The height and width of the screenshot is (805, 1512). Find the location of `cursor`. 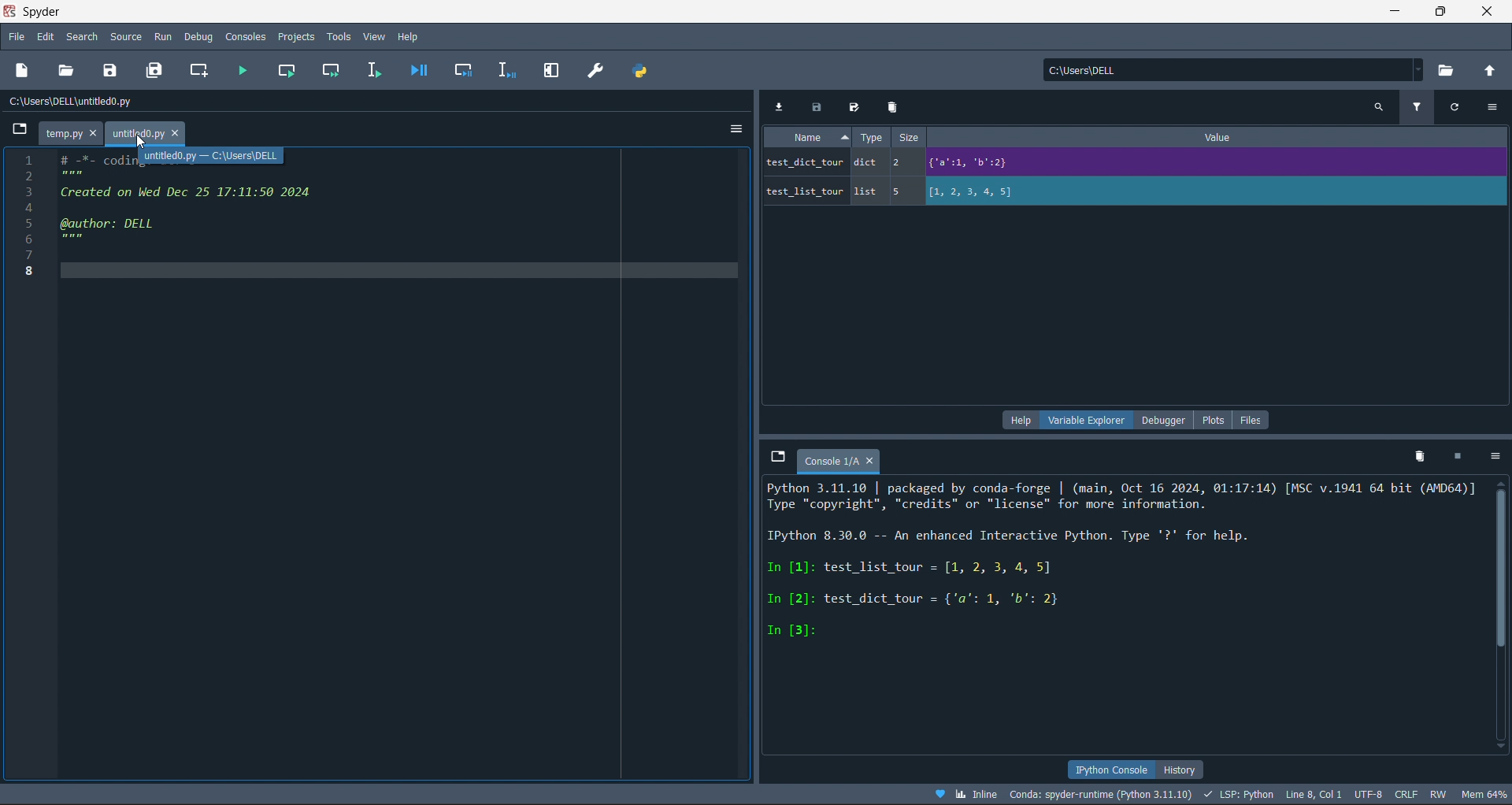

cursor is located at coordinates (143, 147).